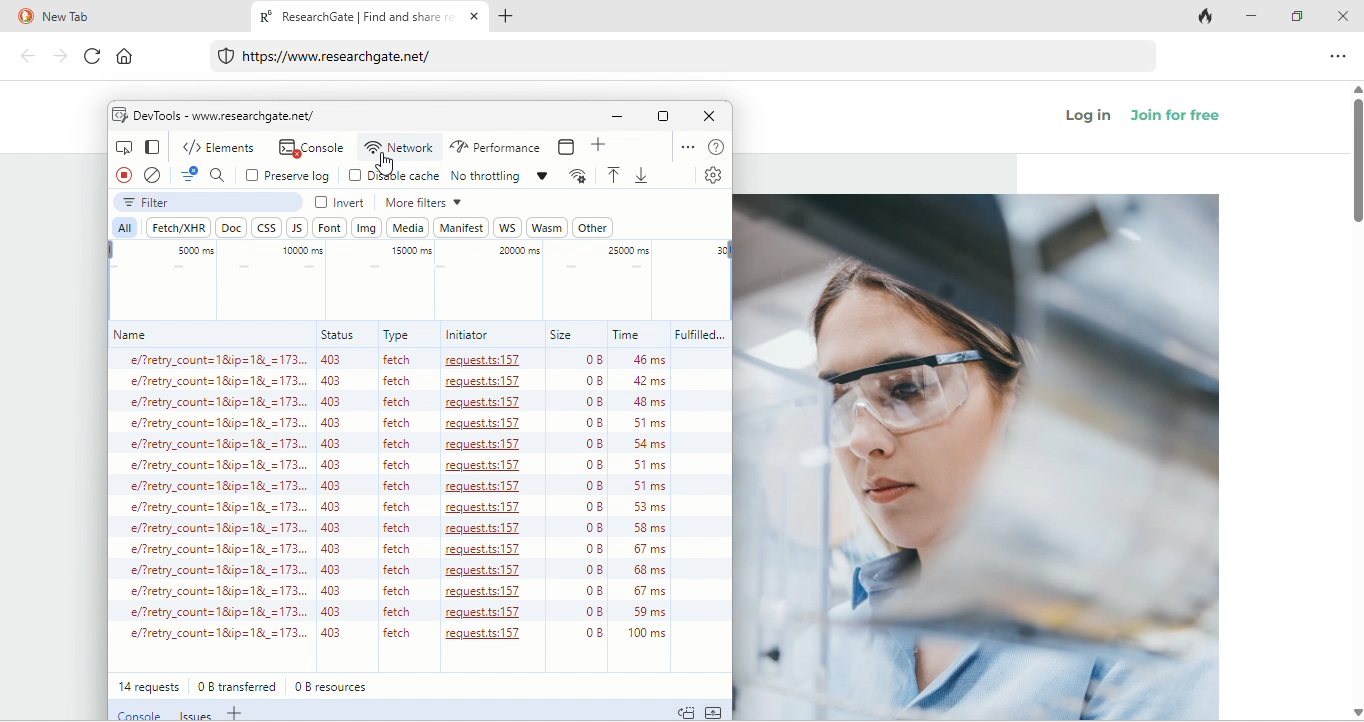 This screenshot has width=1364, height=722. I want to click on vertical scroll bar, so click(1355, 165).